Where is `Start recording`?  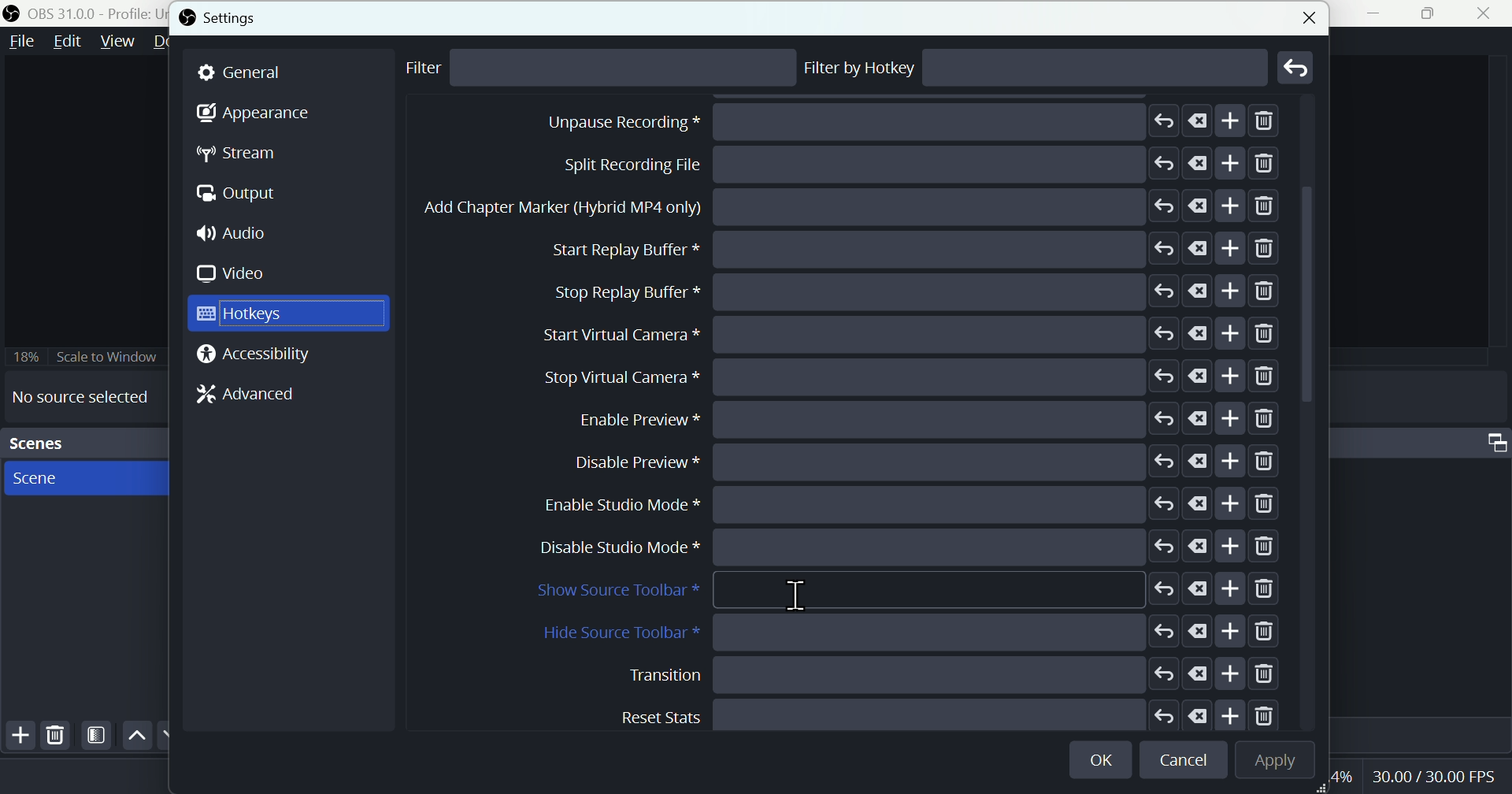 Start recording is located at coordinates (886, 165).